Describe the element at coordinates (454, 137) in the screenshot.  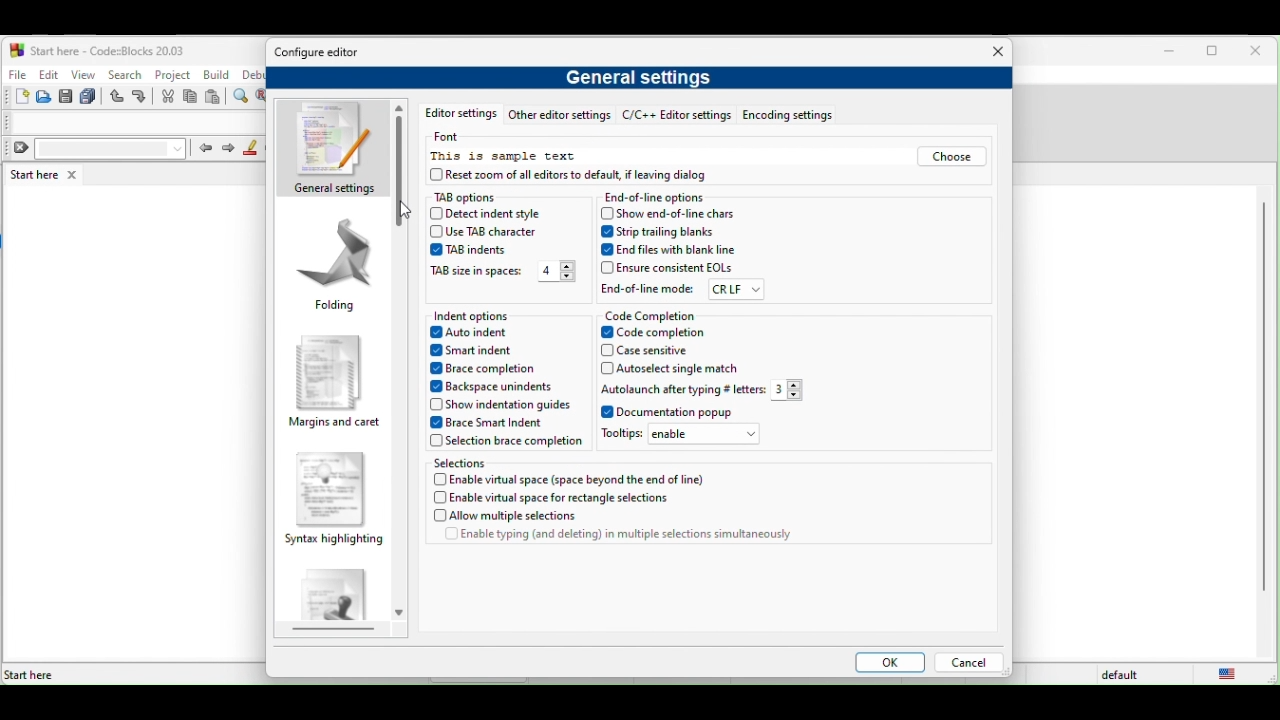
I see `font` at that location.